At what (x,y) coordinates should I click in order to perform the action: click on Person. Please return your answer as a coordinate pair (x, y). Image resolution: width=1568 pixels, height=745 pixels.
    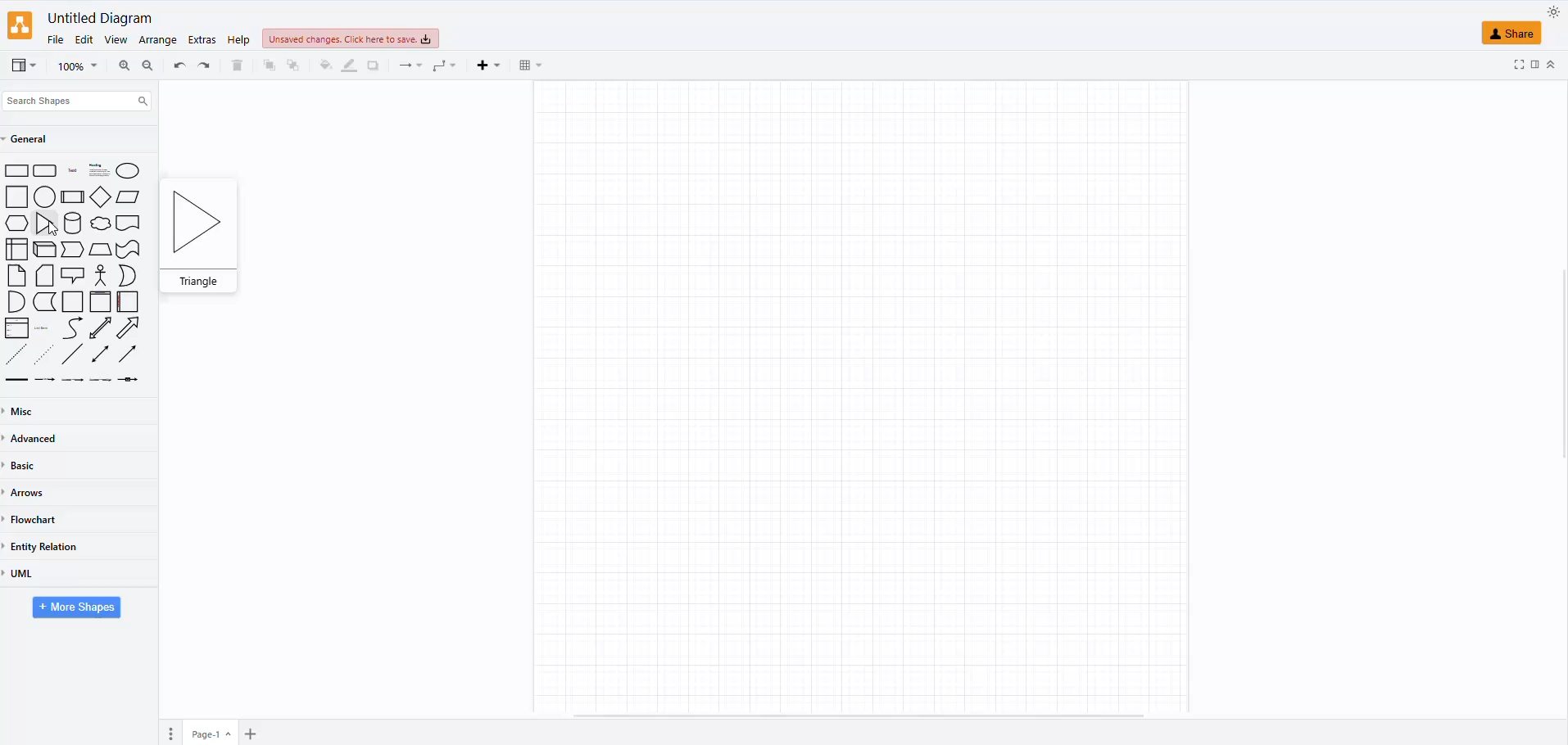
    Looking at the image, I should click on (101, 275).